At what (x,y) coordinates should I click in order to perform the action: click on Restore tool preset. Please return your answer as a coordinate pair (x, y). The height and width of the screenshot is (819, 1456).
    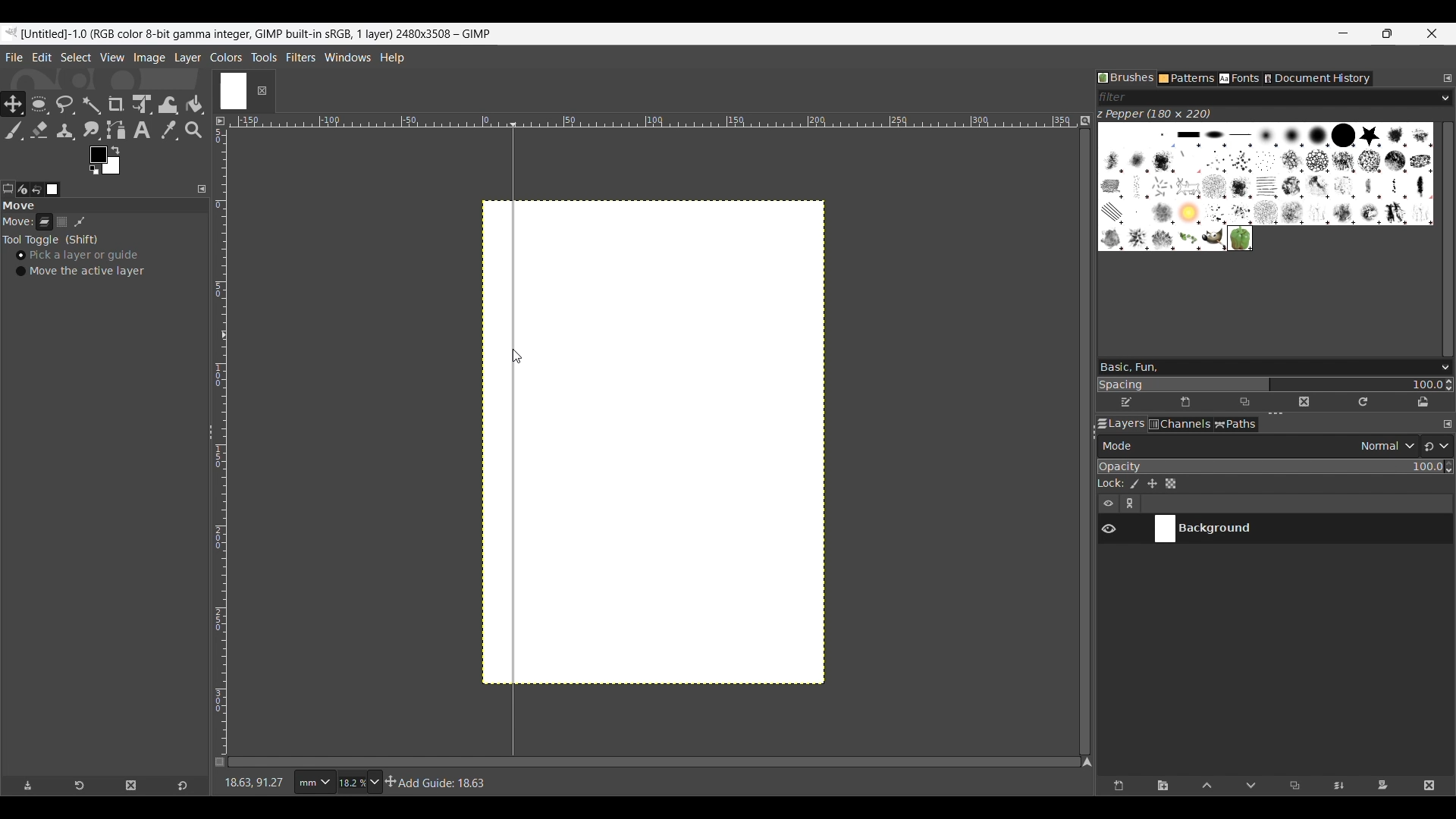
    Looking at the image, I should click on (80, 786).